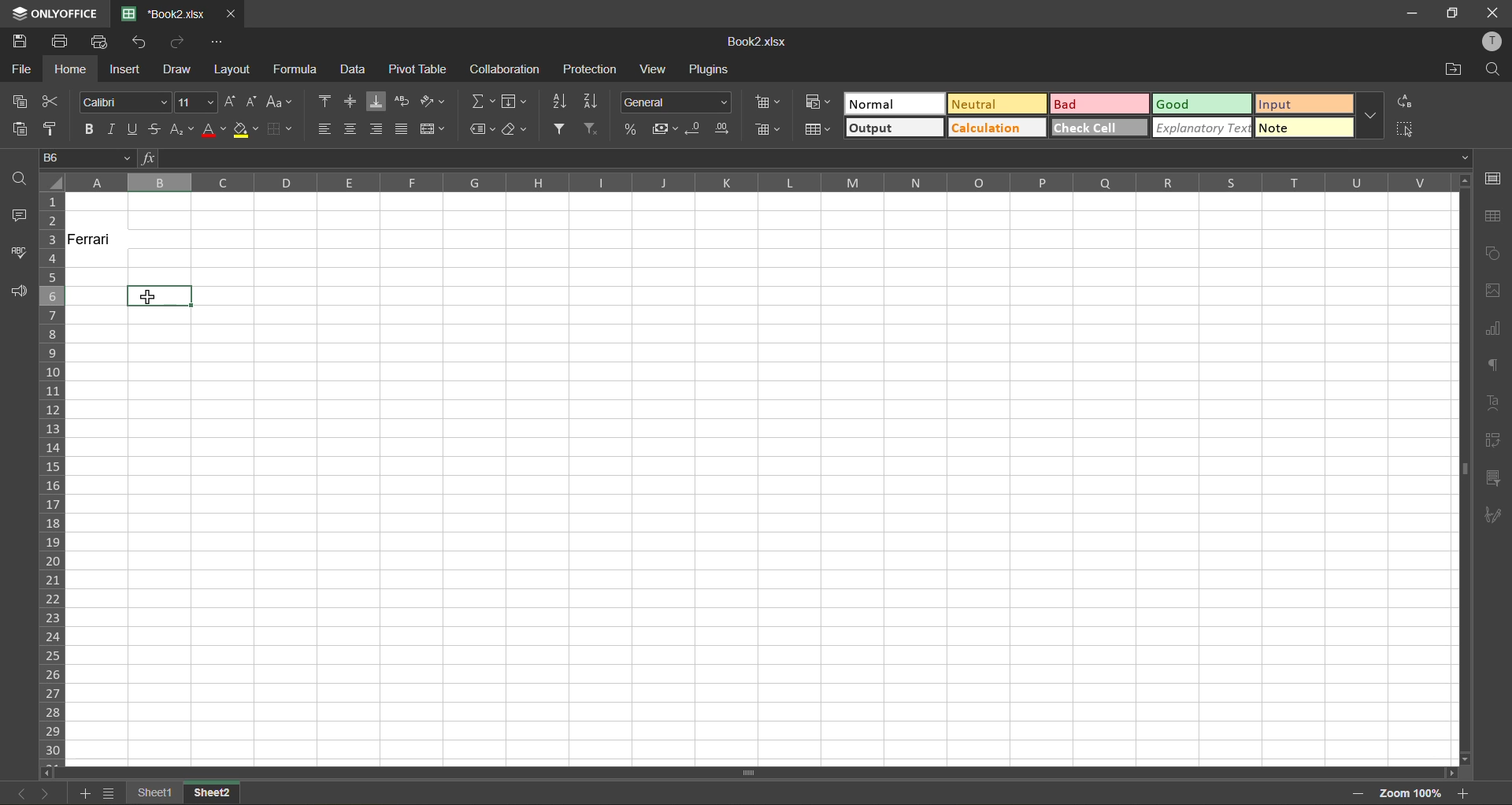  What do you see at coordinates (1202, 128) in the screenshot?
I see `explanatory text` at bounding box center [1202, 128].